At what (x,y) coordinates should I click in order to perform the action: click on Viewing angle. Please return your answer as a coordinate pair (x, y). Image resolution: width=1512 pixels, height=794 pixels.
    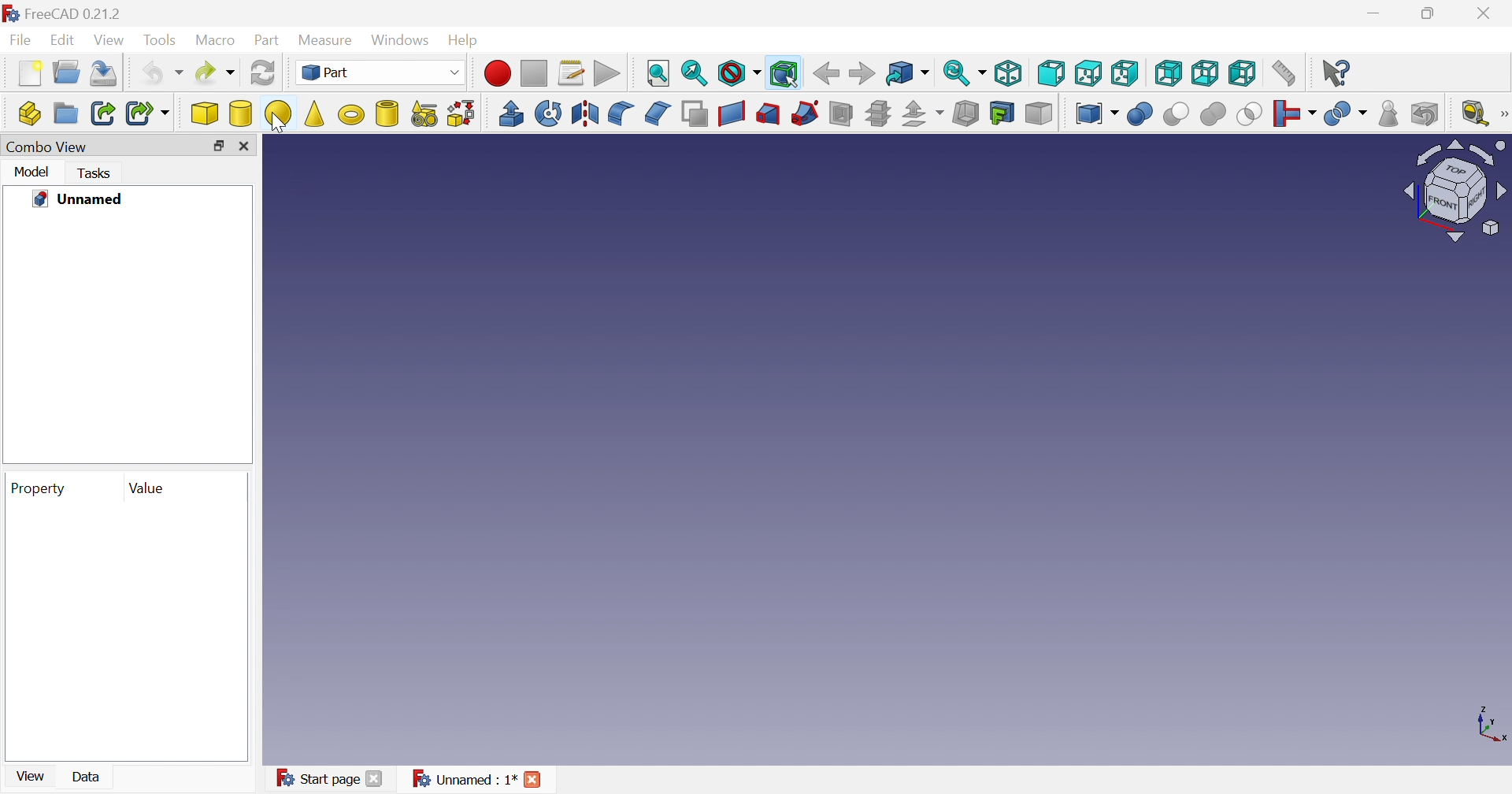
    Looking at the image, I should click on (1455, 193).